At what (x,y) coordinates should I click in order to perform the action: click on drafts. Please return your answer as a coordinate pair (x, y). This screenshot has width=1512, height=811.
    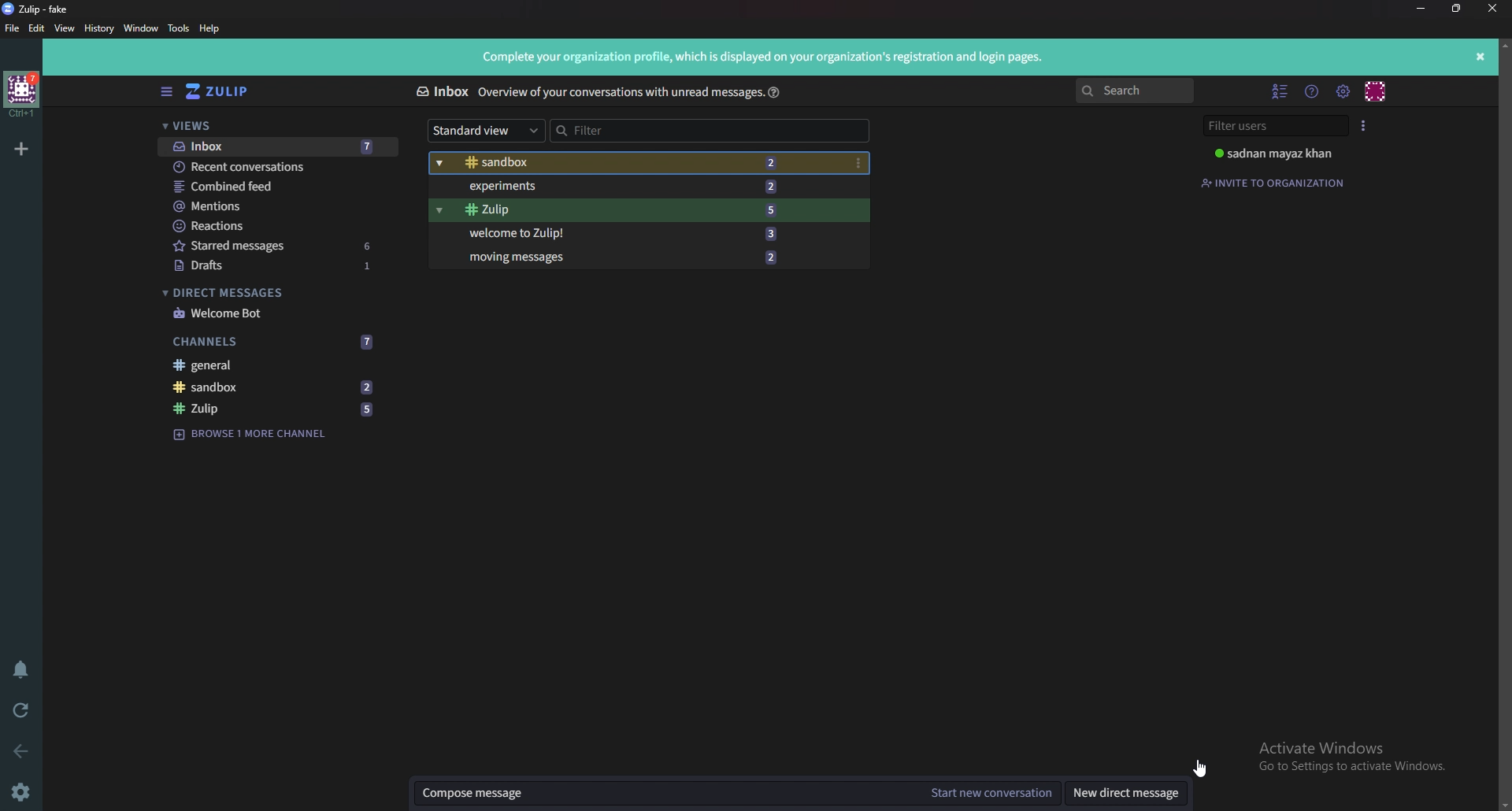
    Looking at the image, I should click on (282, 265).